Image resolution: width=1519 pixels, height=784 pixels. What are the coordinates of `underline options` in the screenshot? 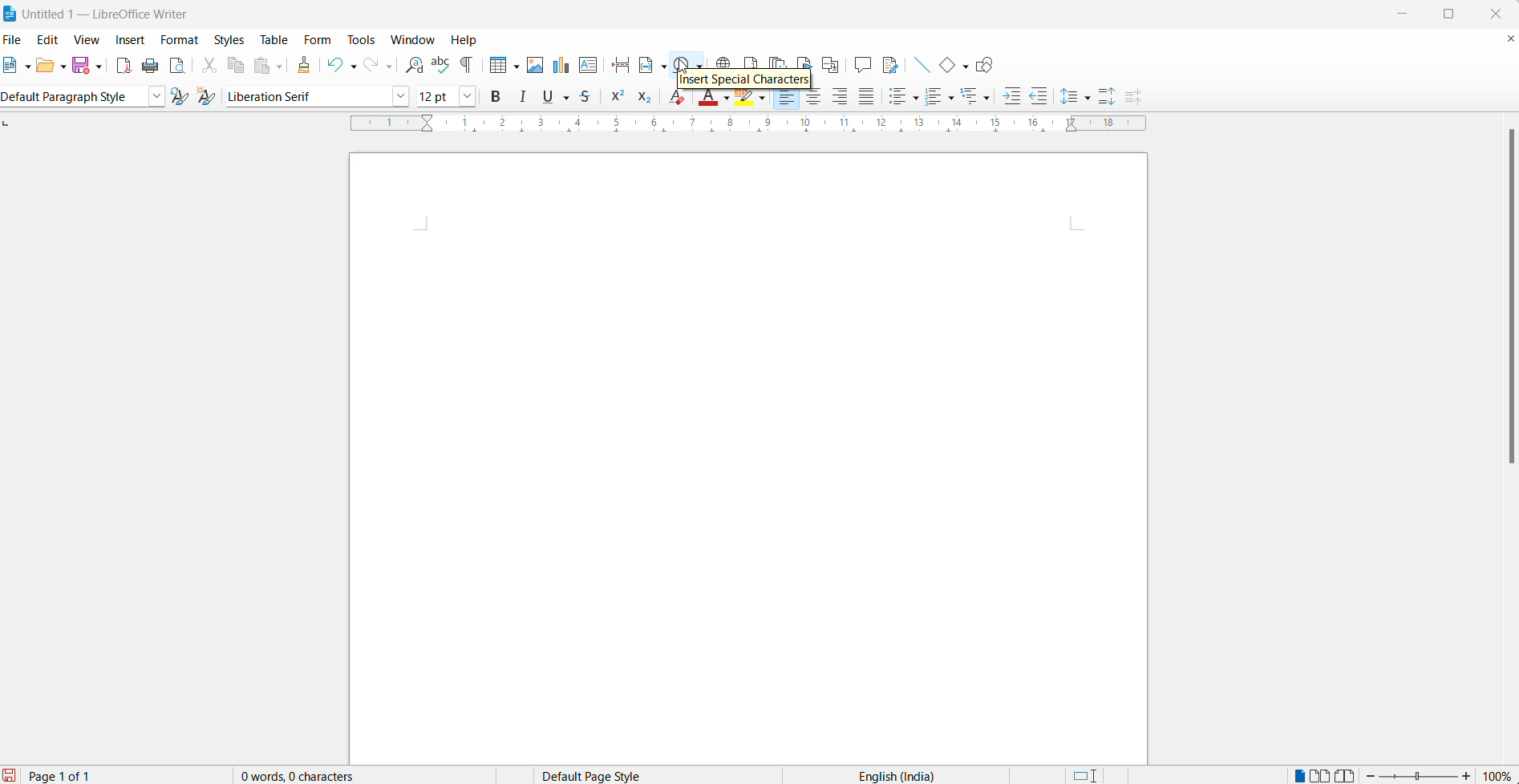 It's located at (569, 98).